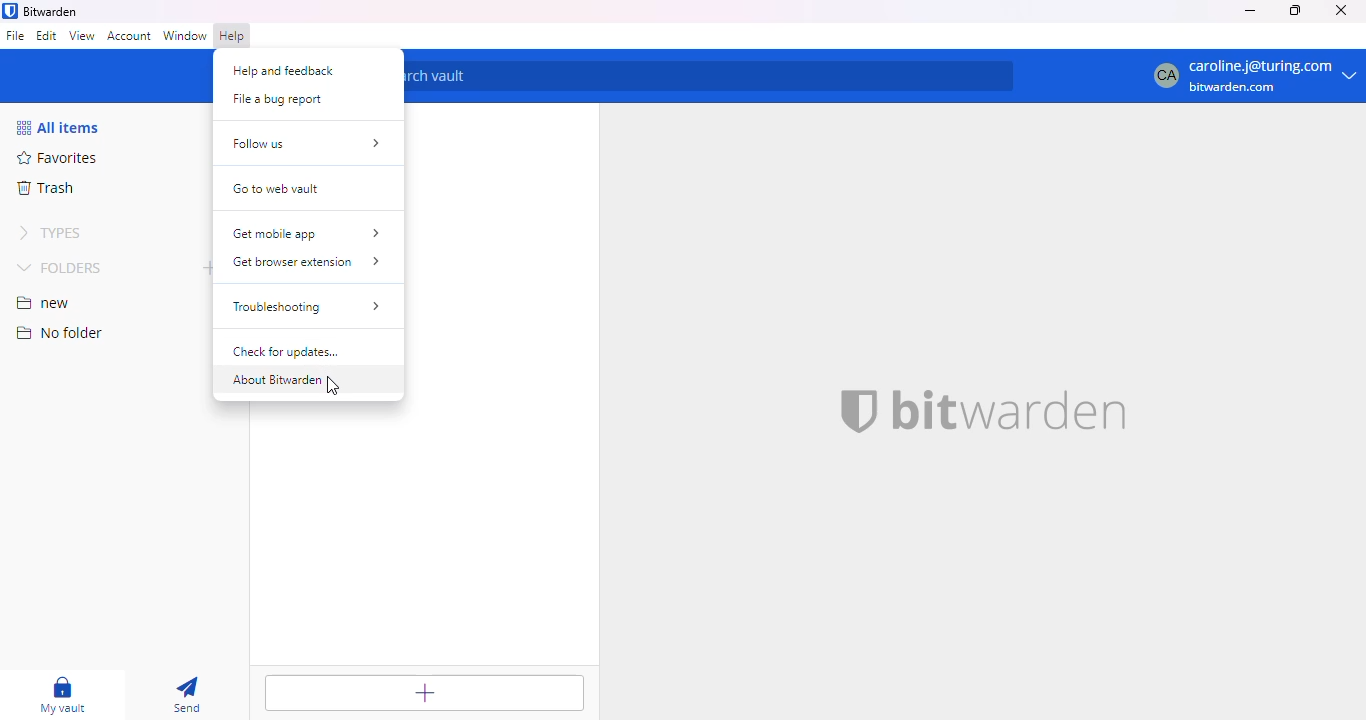 The width and height of the screenshot is (1366, 720). What do you see at coordinates (1162, 76) in the screenshot?
I see `CA` at bounding box center [1162, 76].